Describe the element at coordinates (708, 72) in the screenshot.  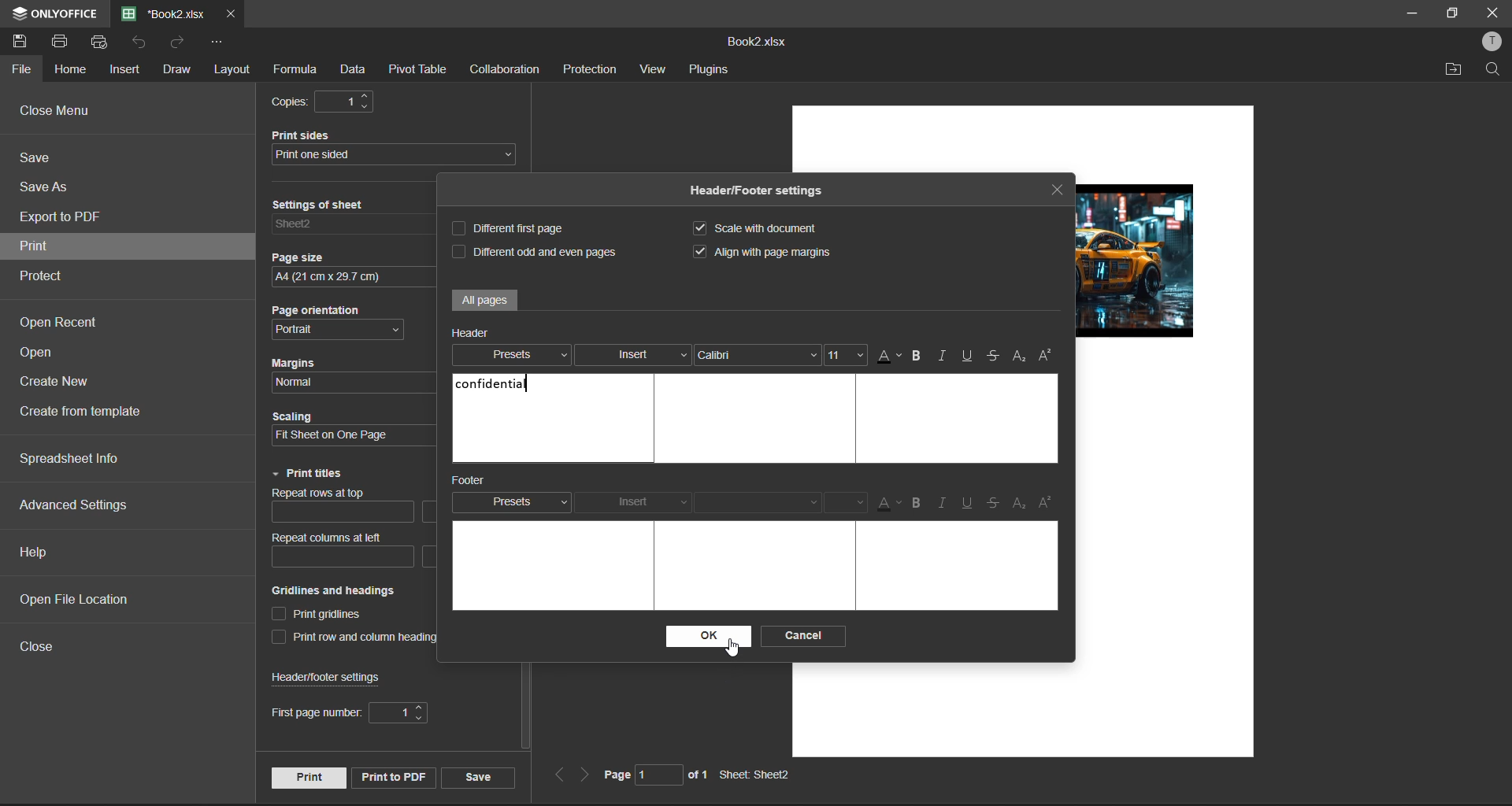
I see `plugins` at that location.